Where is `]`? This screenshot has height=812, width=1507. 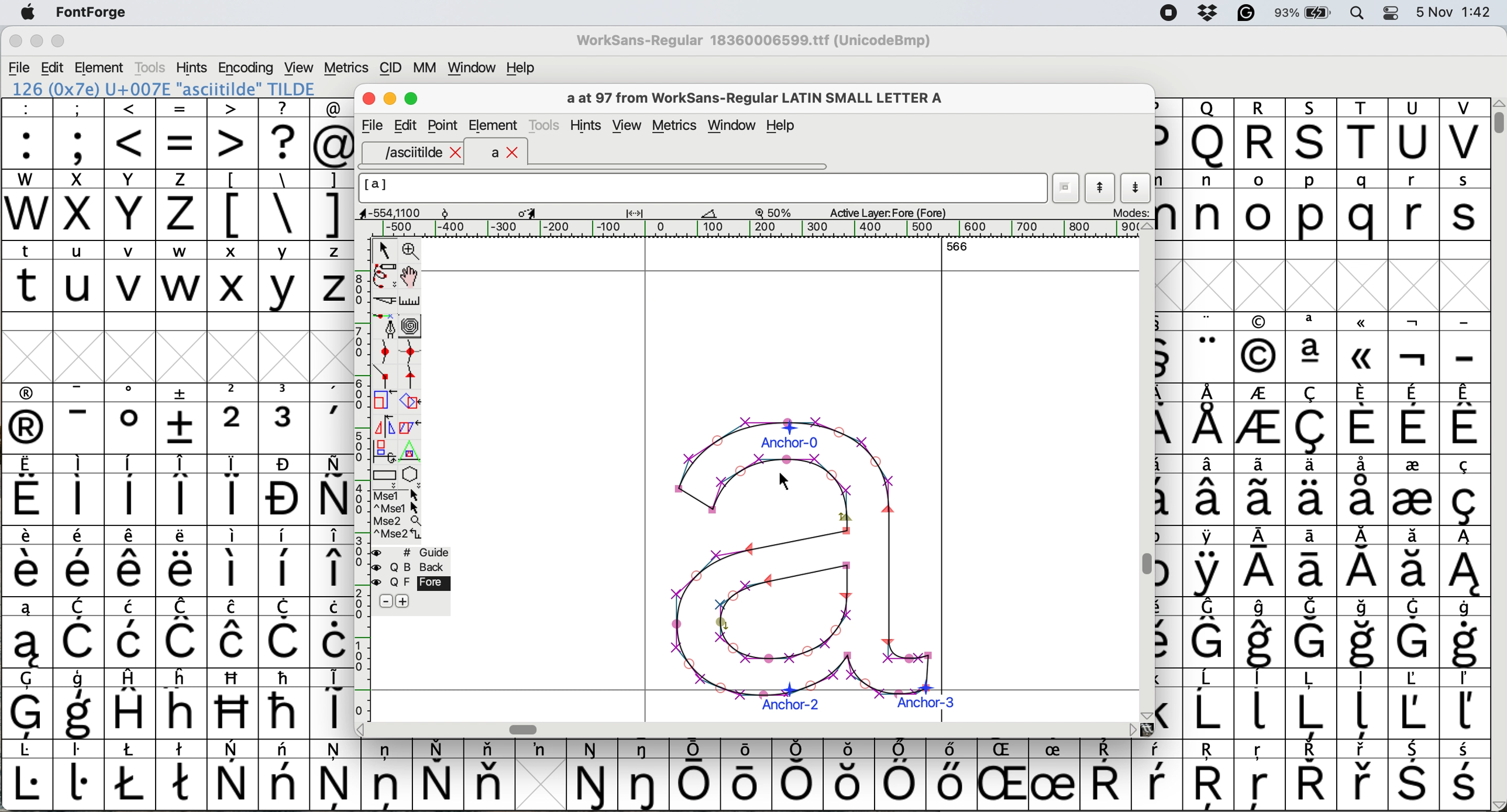 ] is located at coordinates (331, 203).